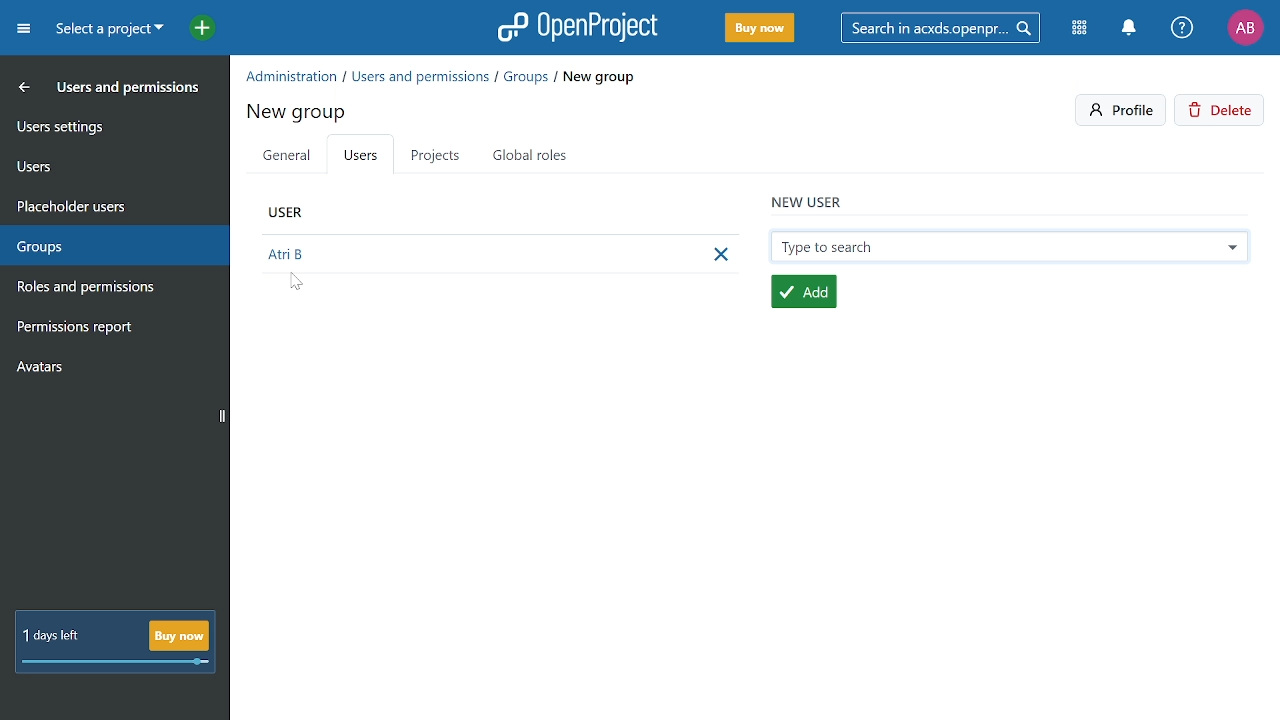 This screenshot has width=1280, height=720. What do you see at coordinates (476, 254) in the screenshot?
I see `New user added` at bounding box center [476, 254].